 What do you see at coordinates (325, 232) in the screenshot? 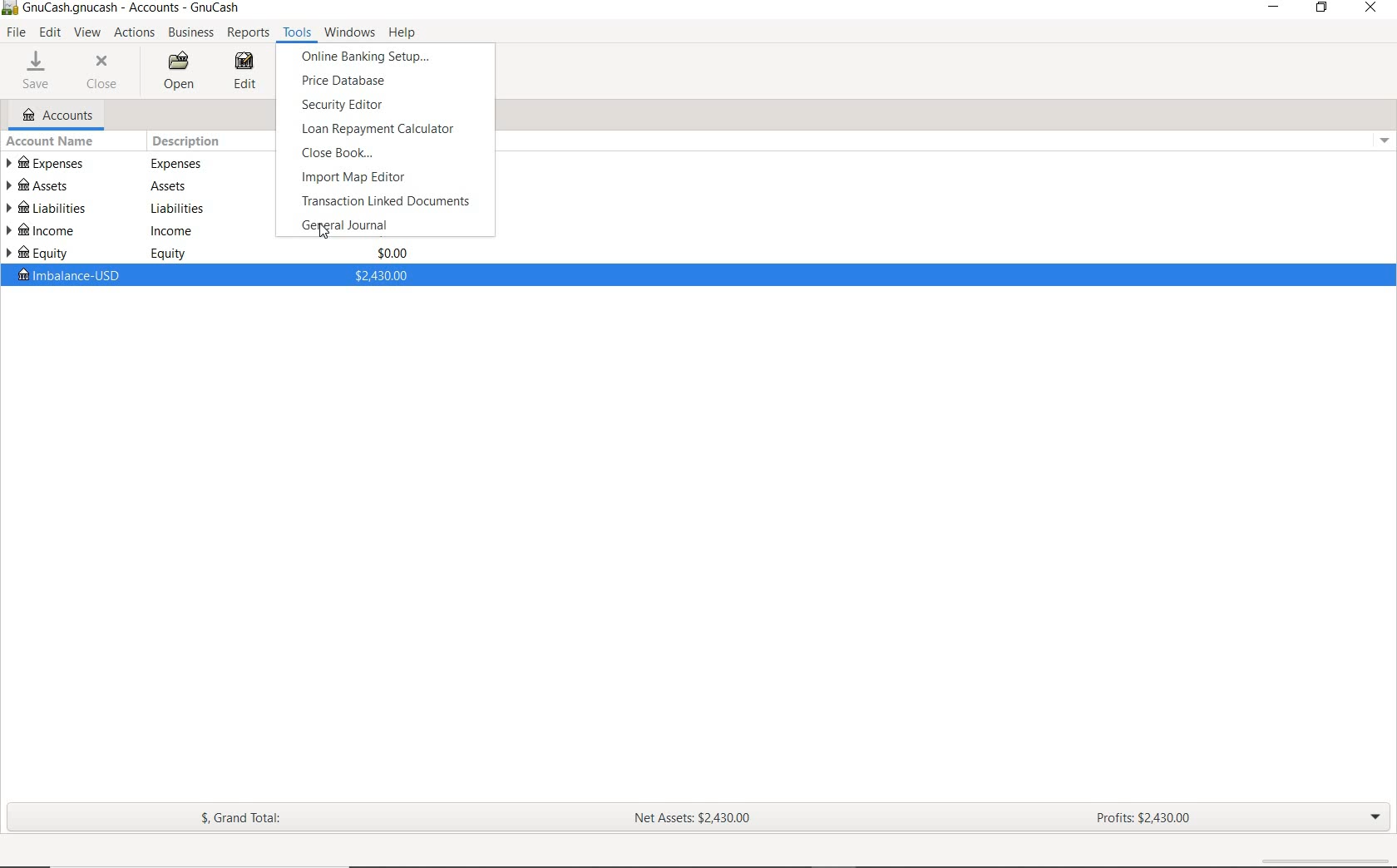
I see `cursor` at bounding box center [325, 232].